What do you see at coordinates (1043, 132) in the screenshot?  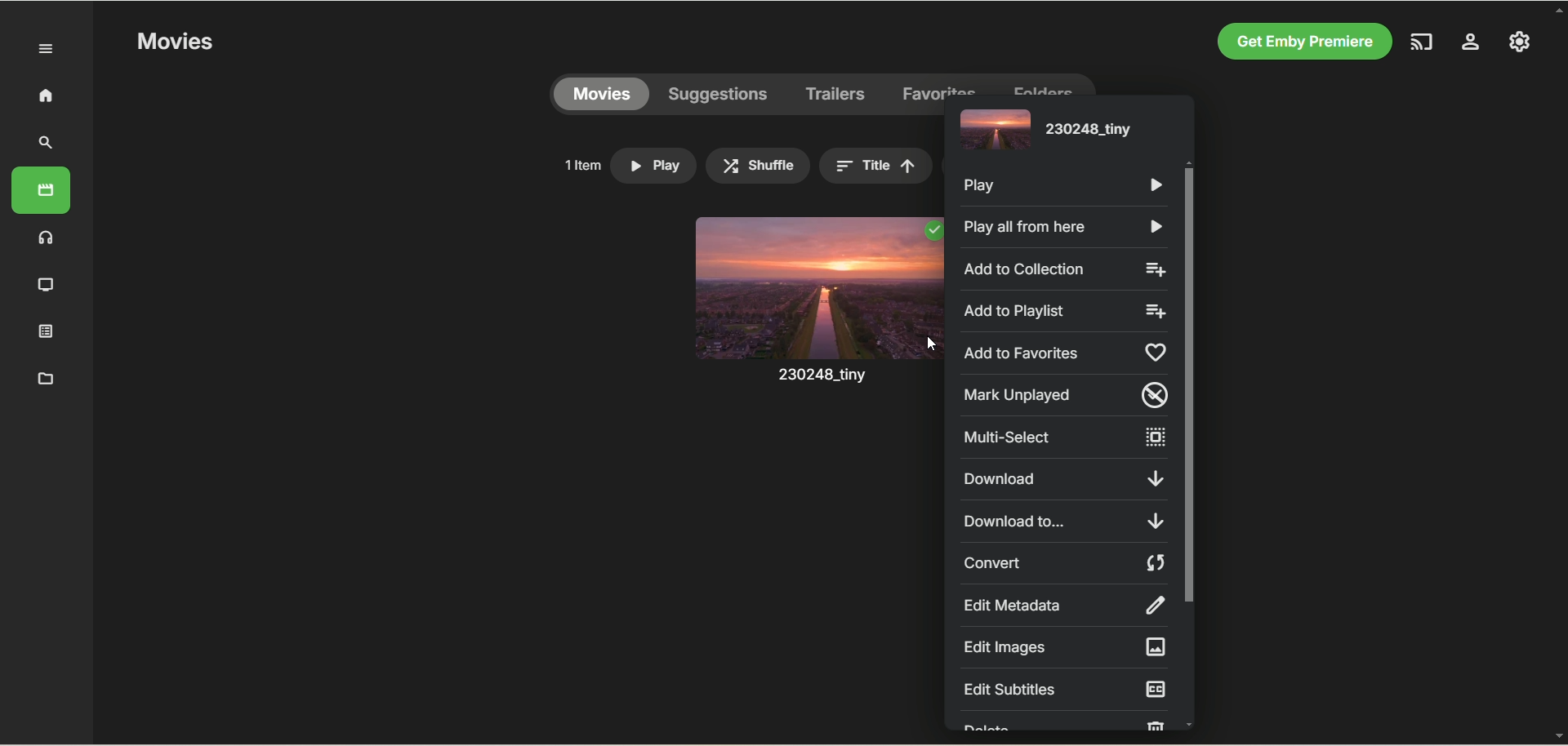 I see `movie title` at bounding box center [1043, 132].